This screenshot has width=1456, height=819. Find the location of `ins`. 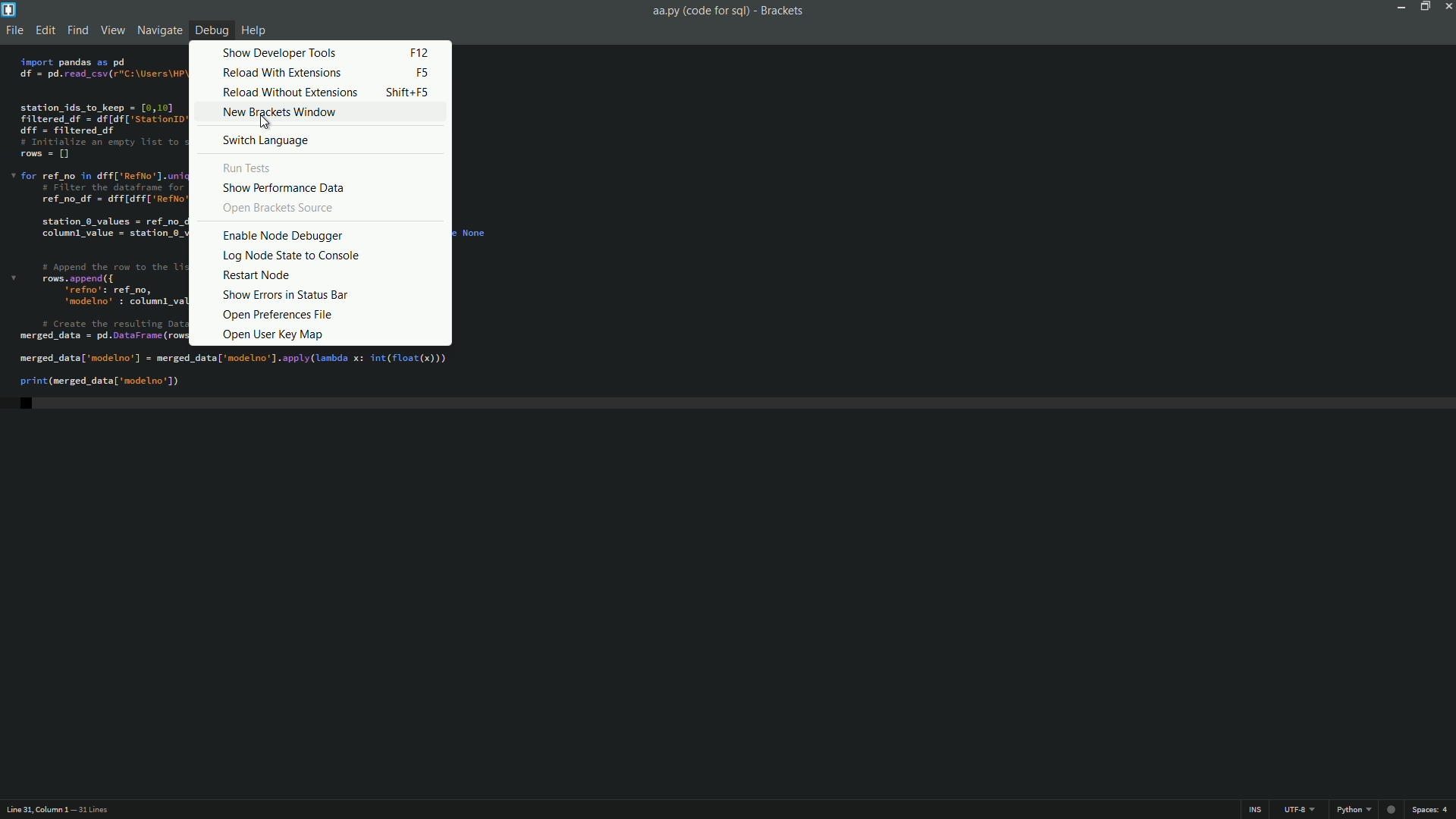

ins is located at coordinates (1255, 810).